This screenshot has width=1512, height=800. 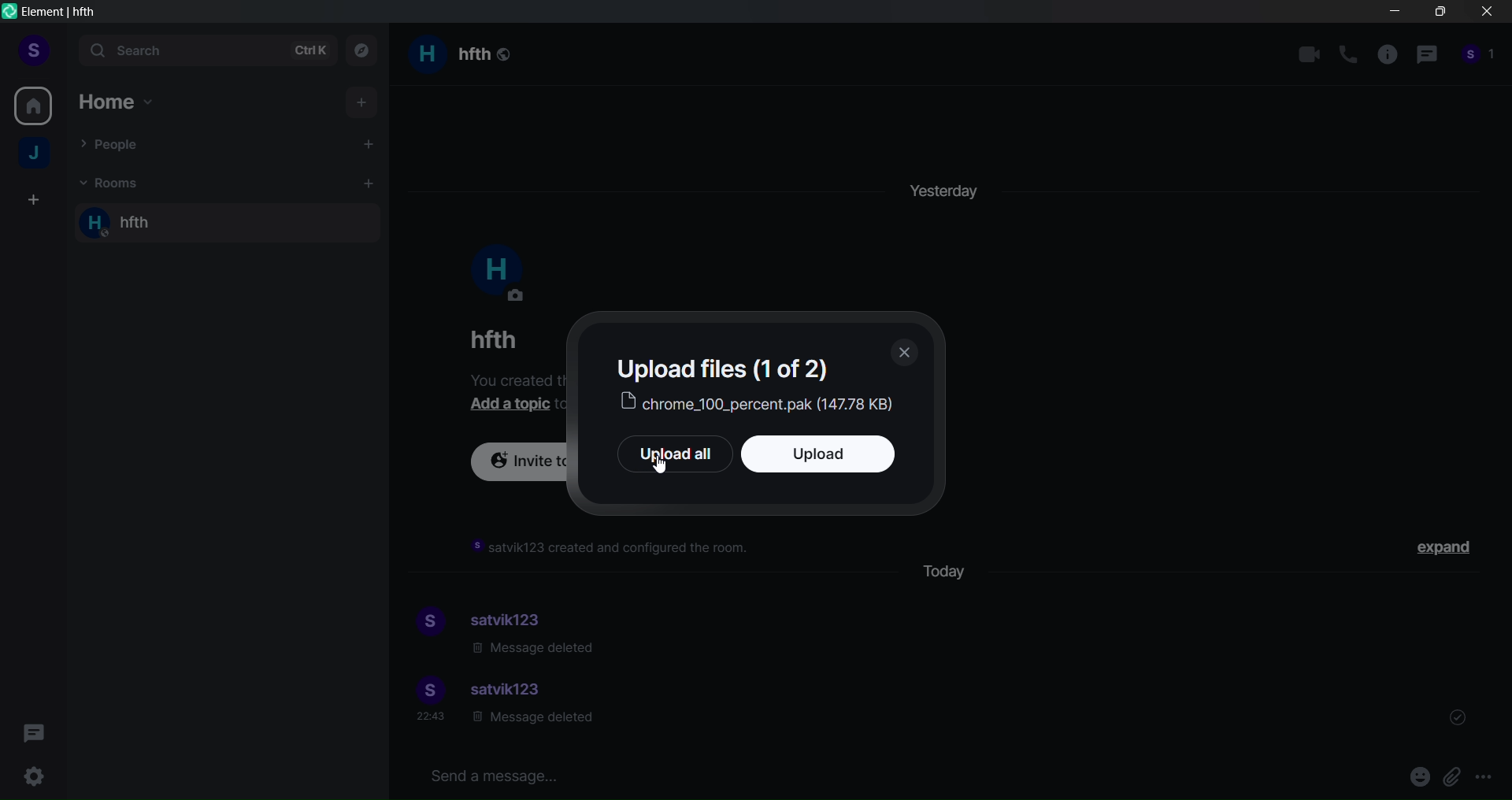 What do you see at coordinates (446, 56) in the screenshot?
I see `room name` at bounding box center [446, 56].